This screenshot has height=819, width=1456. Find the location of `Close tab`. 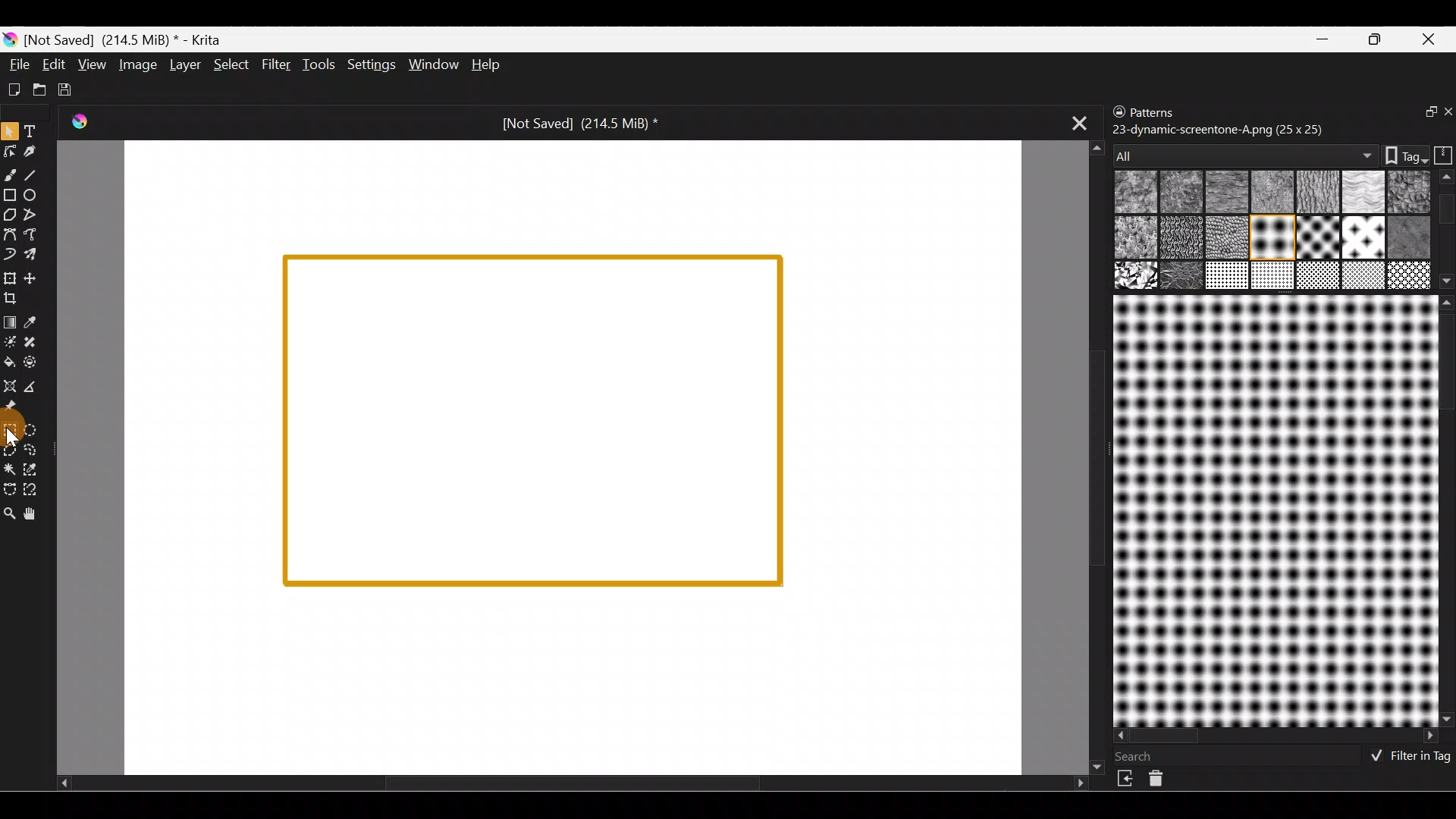

Close tab is located at coordinates (1074, 122).